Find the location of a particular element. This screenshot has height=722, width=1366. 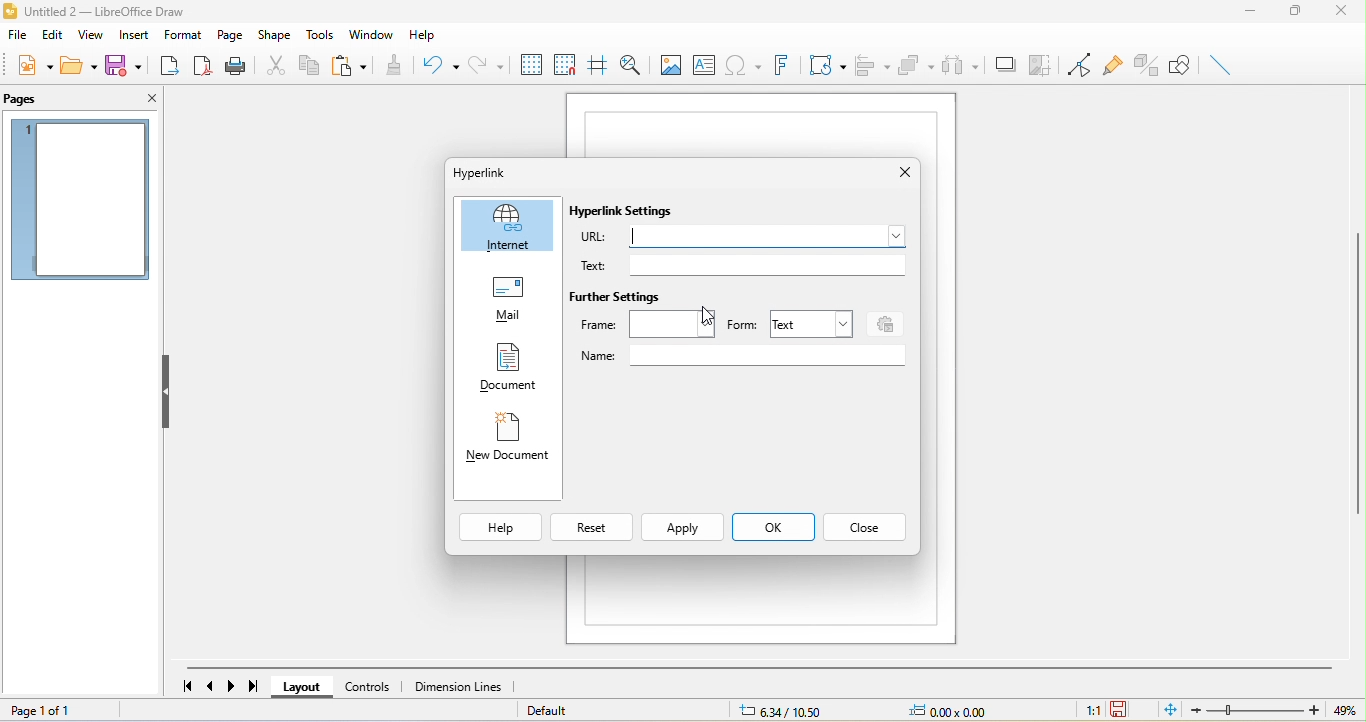

6.34/10.50 is located at coordinates (794, 711).